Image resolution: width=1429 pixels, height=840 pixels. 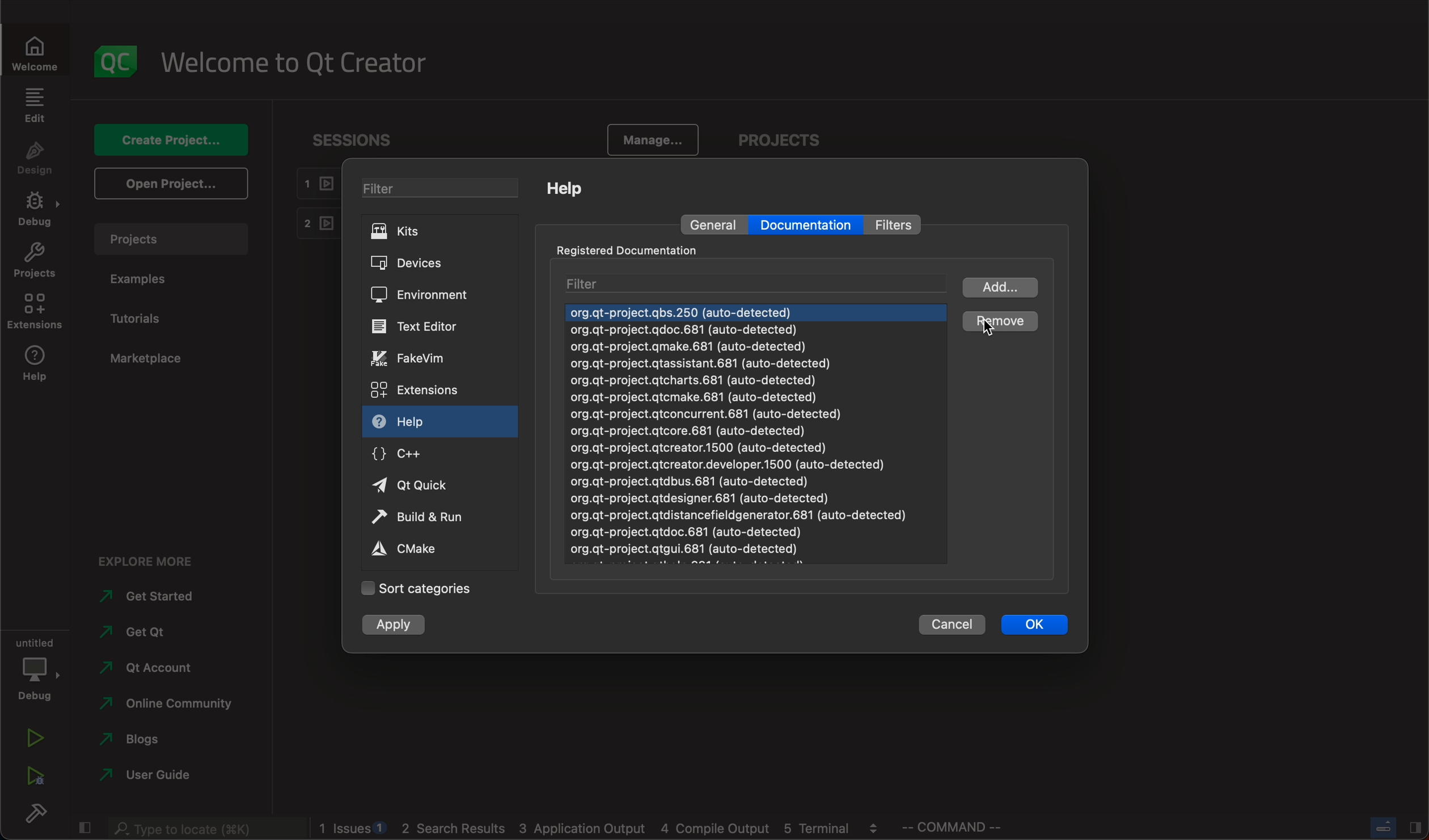 I want to click on run, so click(x=423, y=515).